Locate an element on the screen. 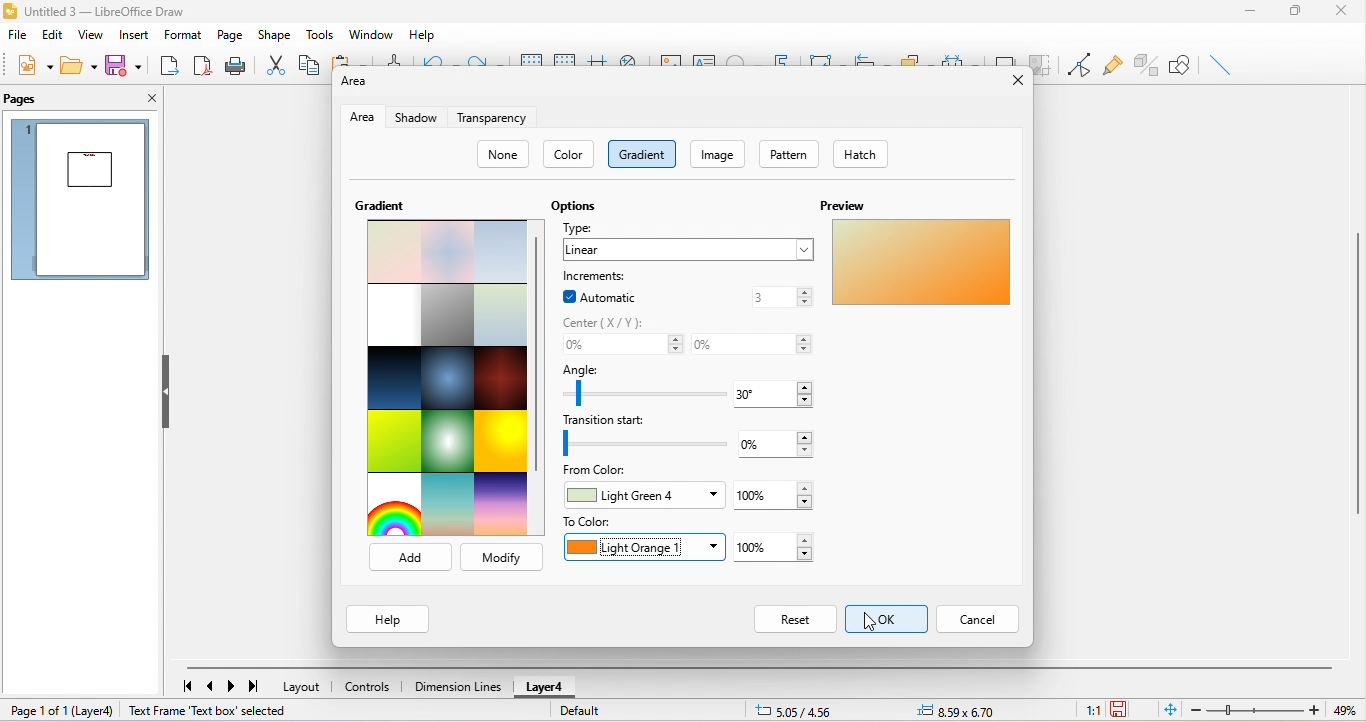 This screenshot has width=1366, height=722. pattern is located at coordinates (794, 155).